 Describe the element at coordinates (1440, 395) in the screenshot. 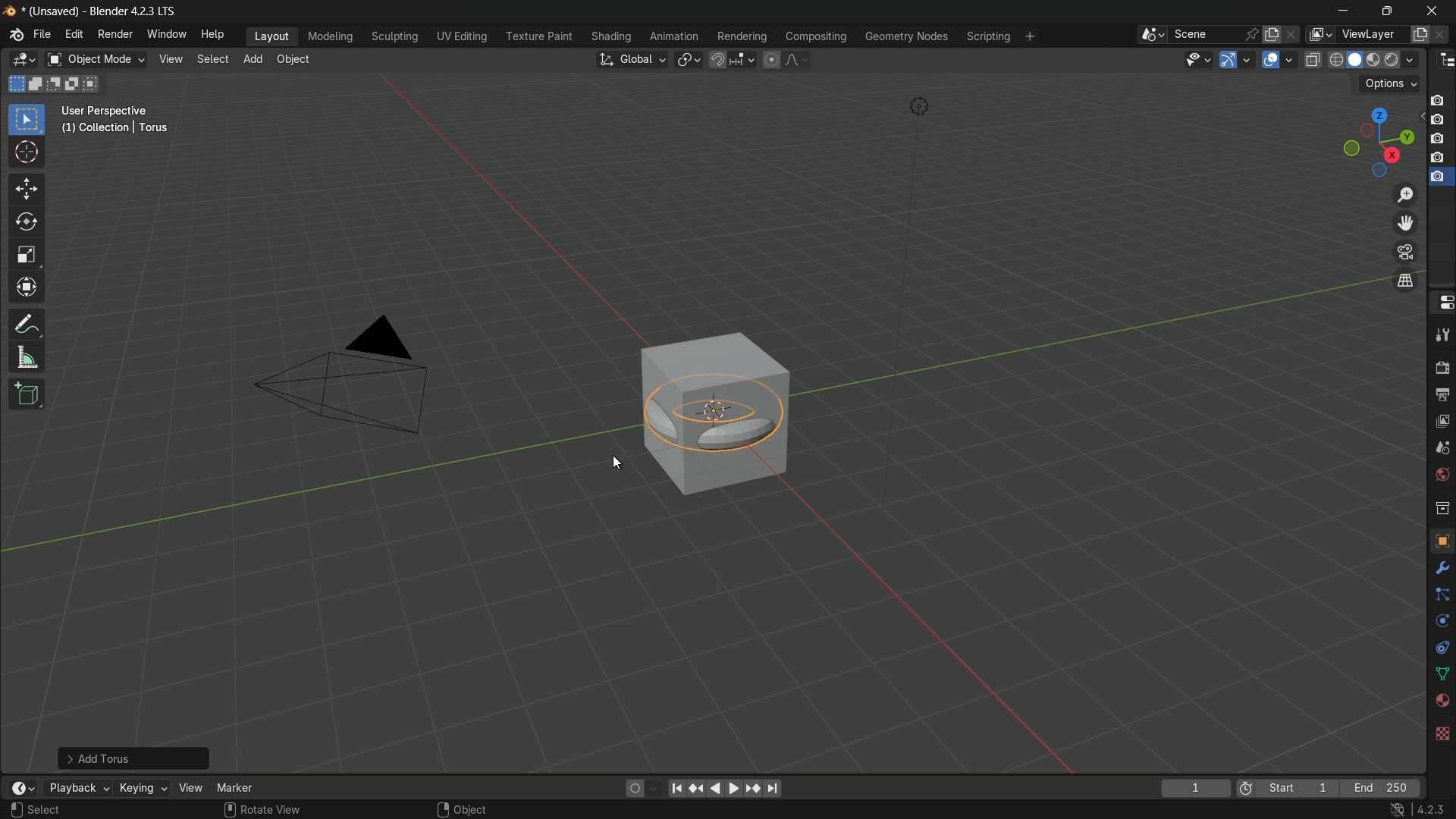

I see `output` at that location.